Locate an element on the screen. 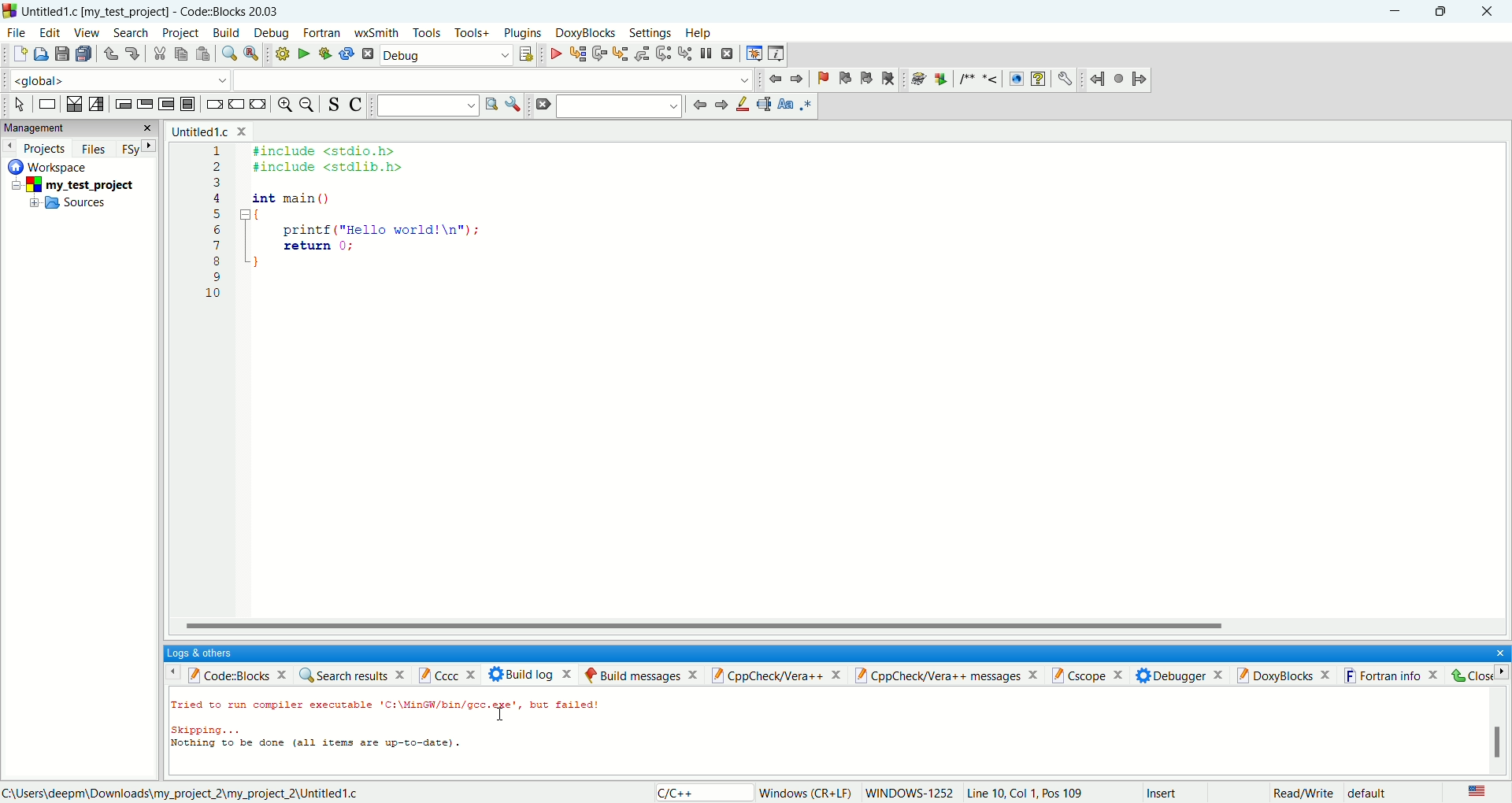  previous bookmark is located at coordinates (843, 80).